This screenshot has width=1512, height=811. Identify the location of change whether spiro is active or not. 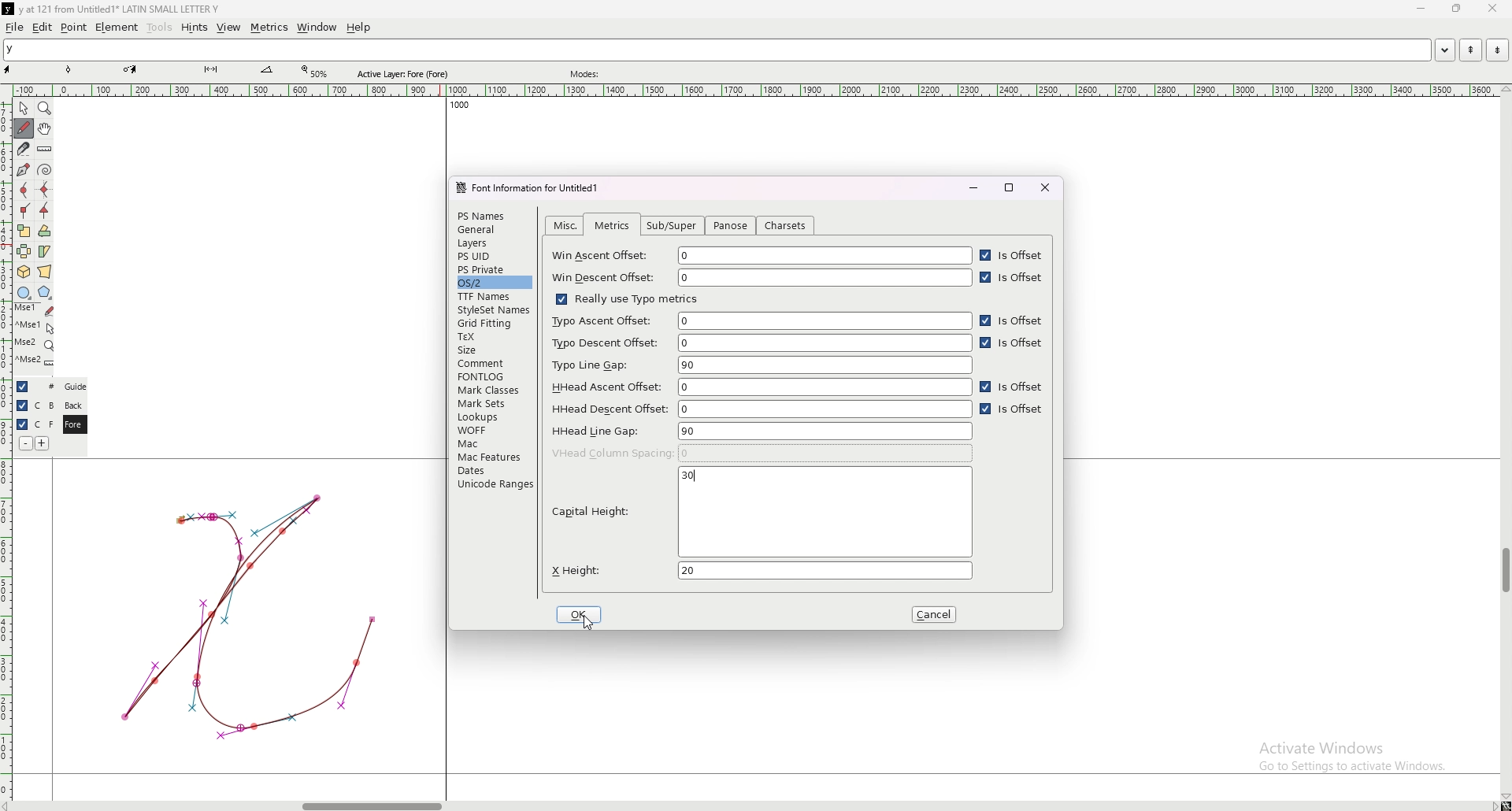
(45, 169).